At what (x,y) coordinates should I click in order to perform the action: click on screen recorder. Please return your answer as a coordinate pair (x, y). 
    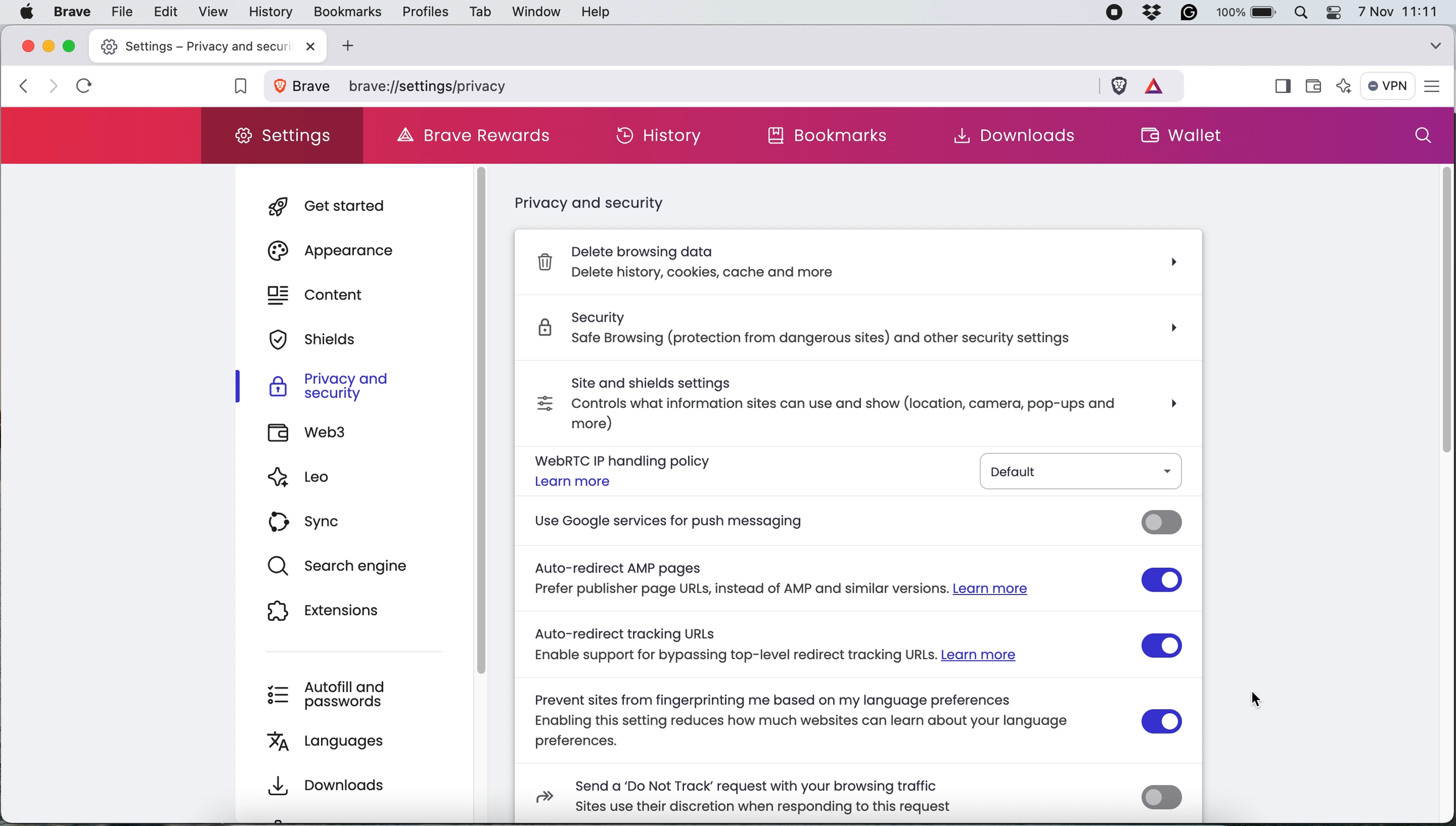
    Looking at the image, I should click on (1117, 13).